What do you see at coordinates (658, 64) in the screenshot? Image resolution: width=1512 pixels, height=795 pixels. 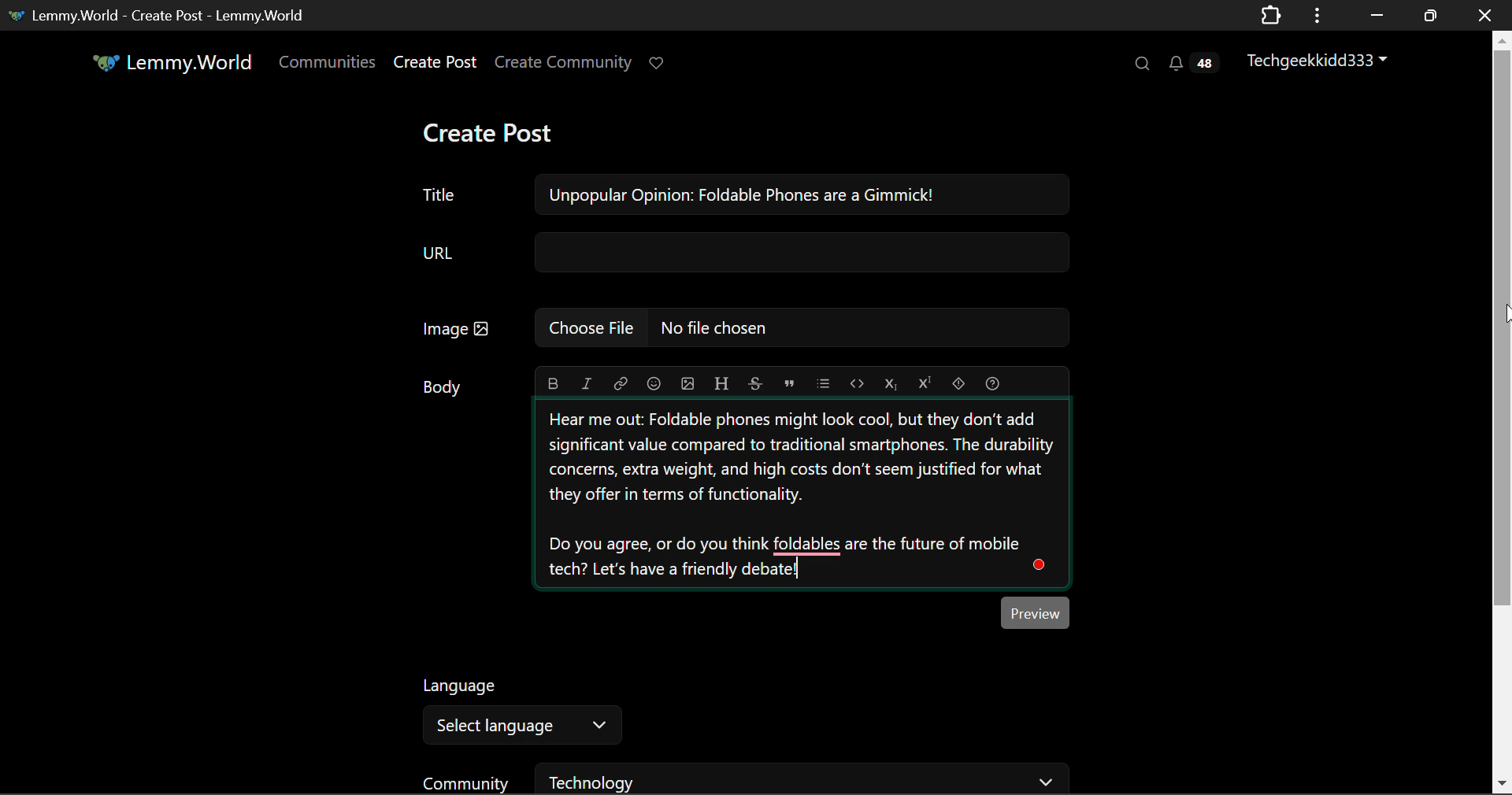 I see `Donate to Lemmy` at bounding box center [658, 64].